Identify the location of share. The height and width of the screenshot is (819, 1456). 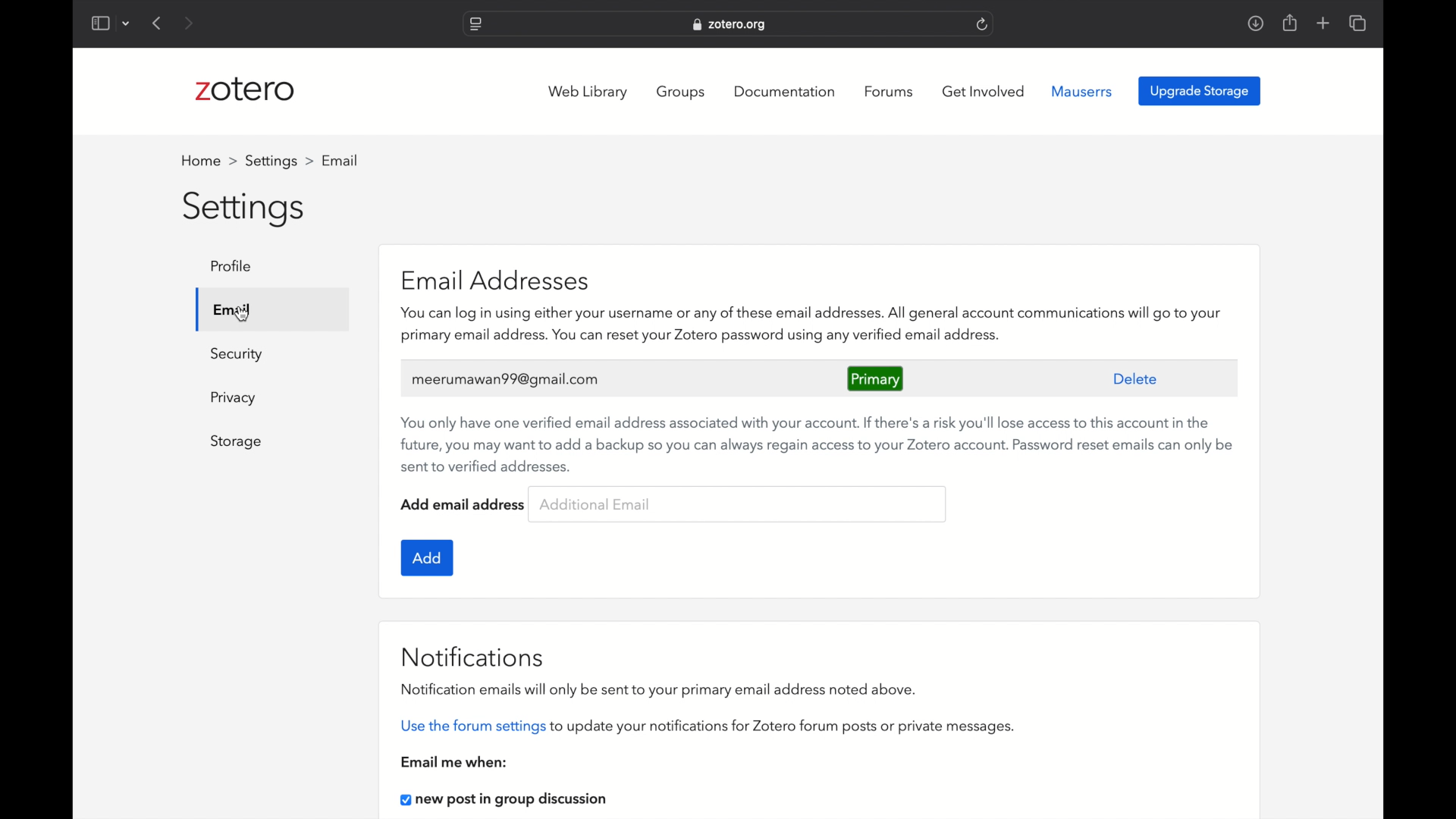
(1288, 23).